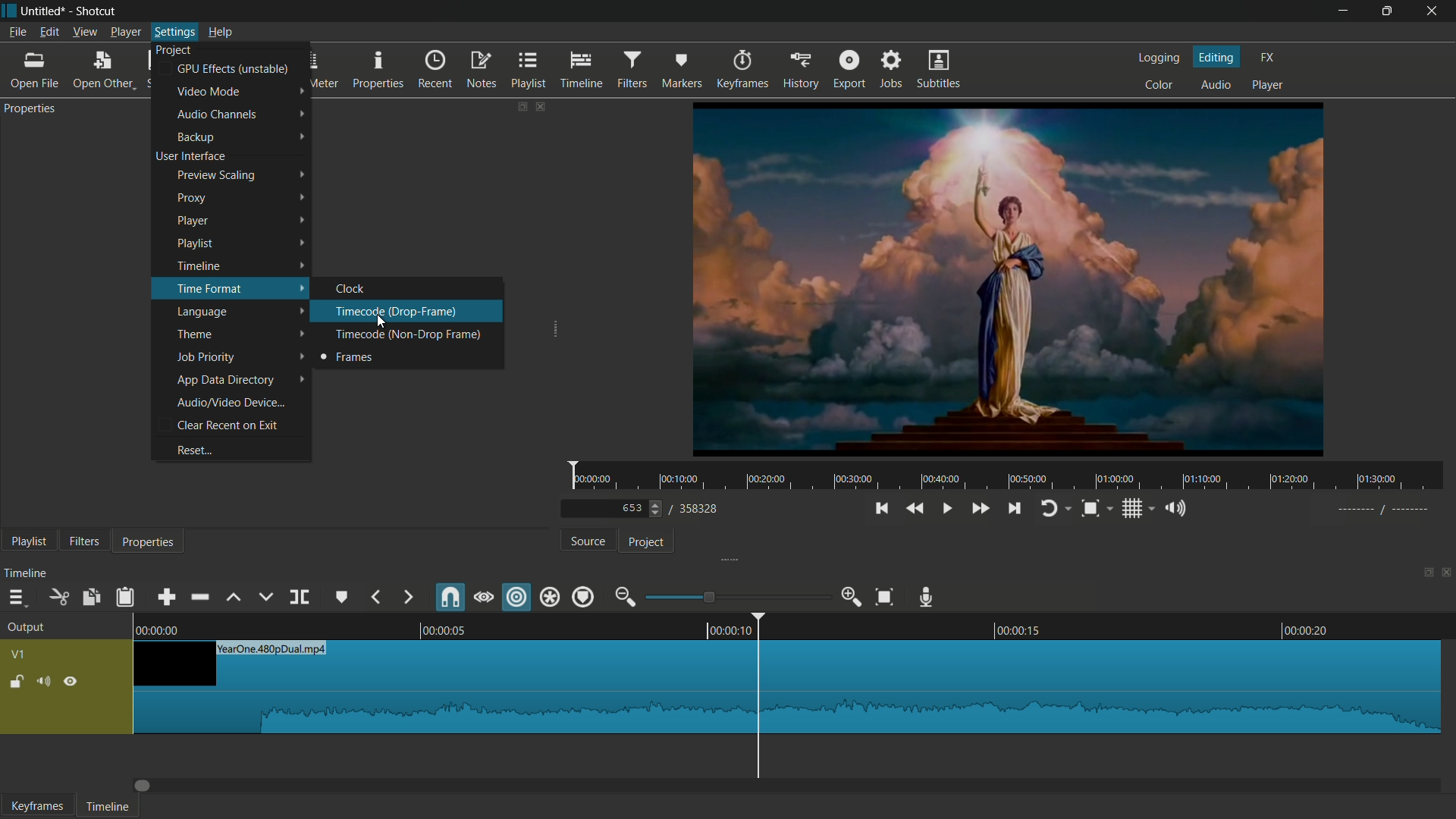  What do you see at coordinates (436, 68) in the screenshot?
I see `recent` at bounding box center [436, 68].